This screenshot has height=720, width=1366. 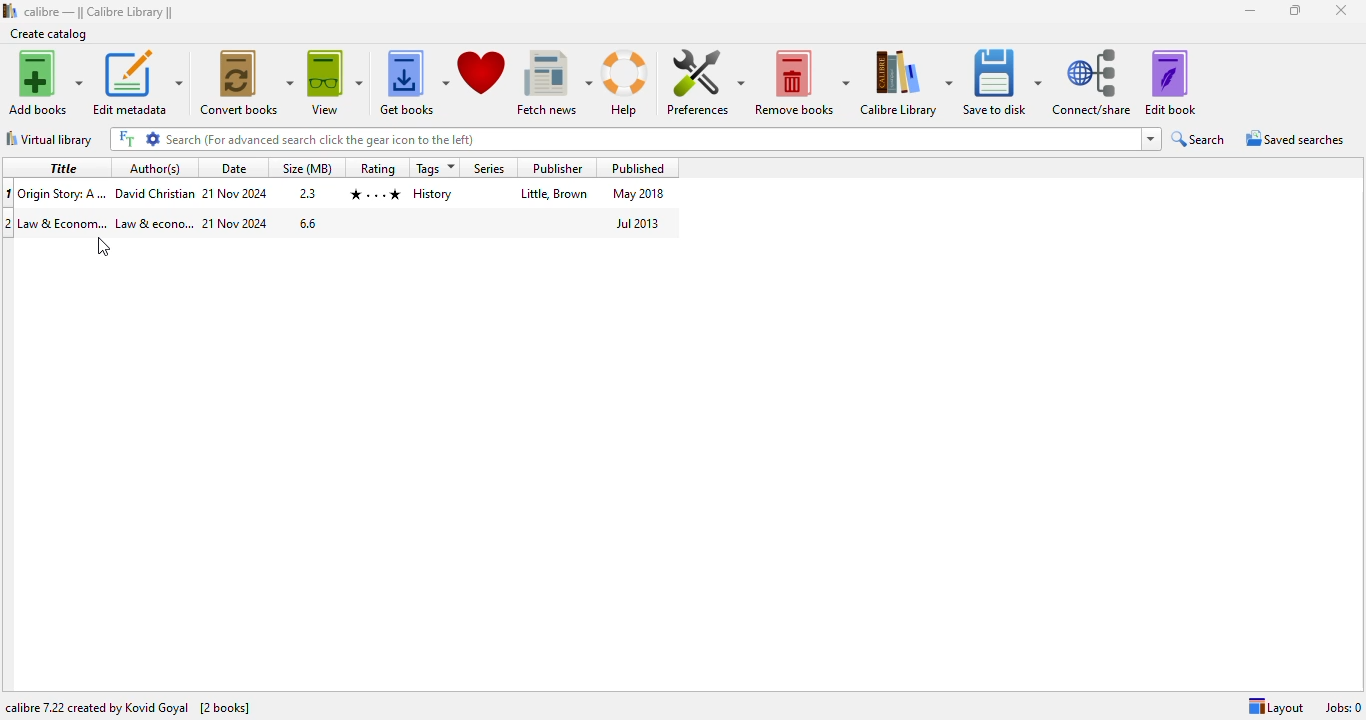 I want to click on connect/share, so click(x=1094, y=82).